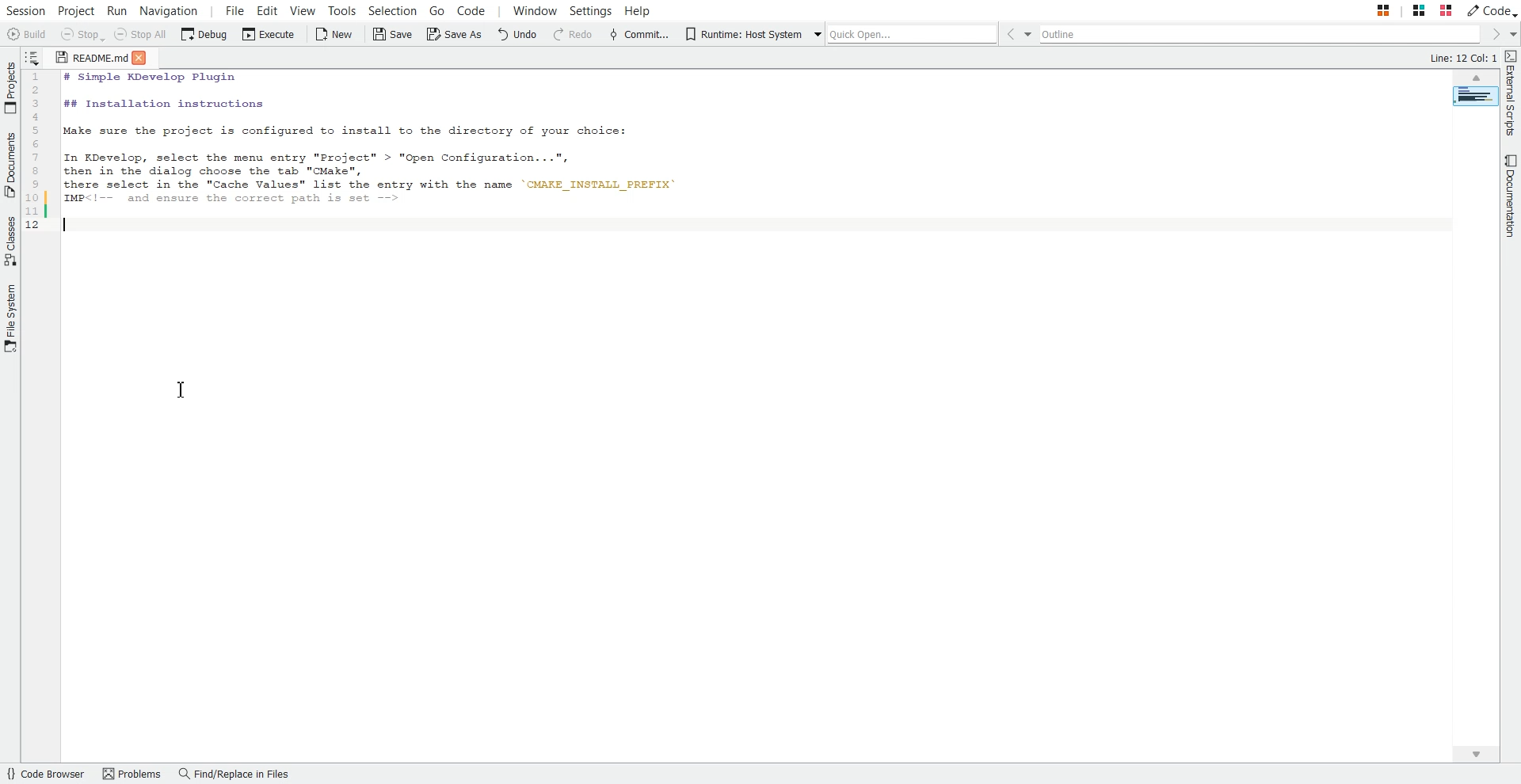 The image size is (1521, 784). What do you see at coordinates (264, 200) in the screenshot?
I see `IMP <-- and ensure the correct path is set --> (comment added to the commented text)` at bounding box center [264, 200].